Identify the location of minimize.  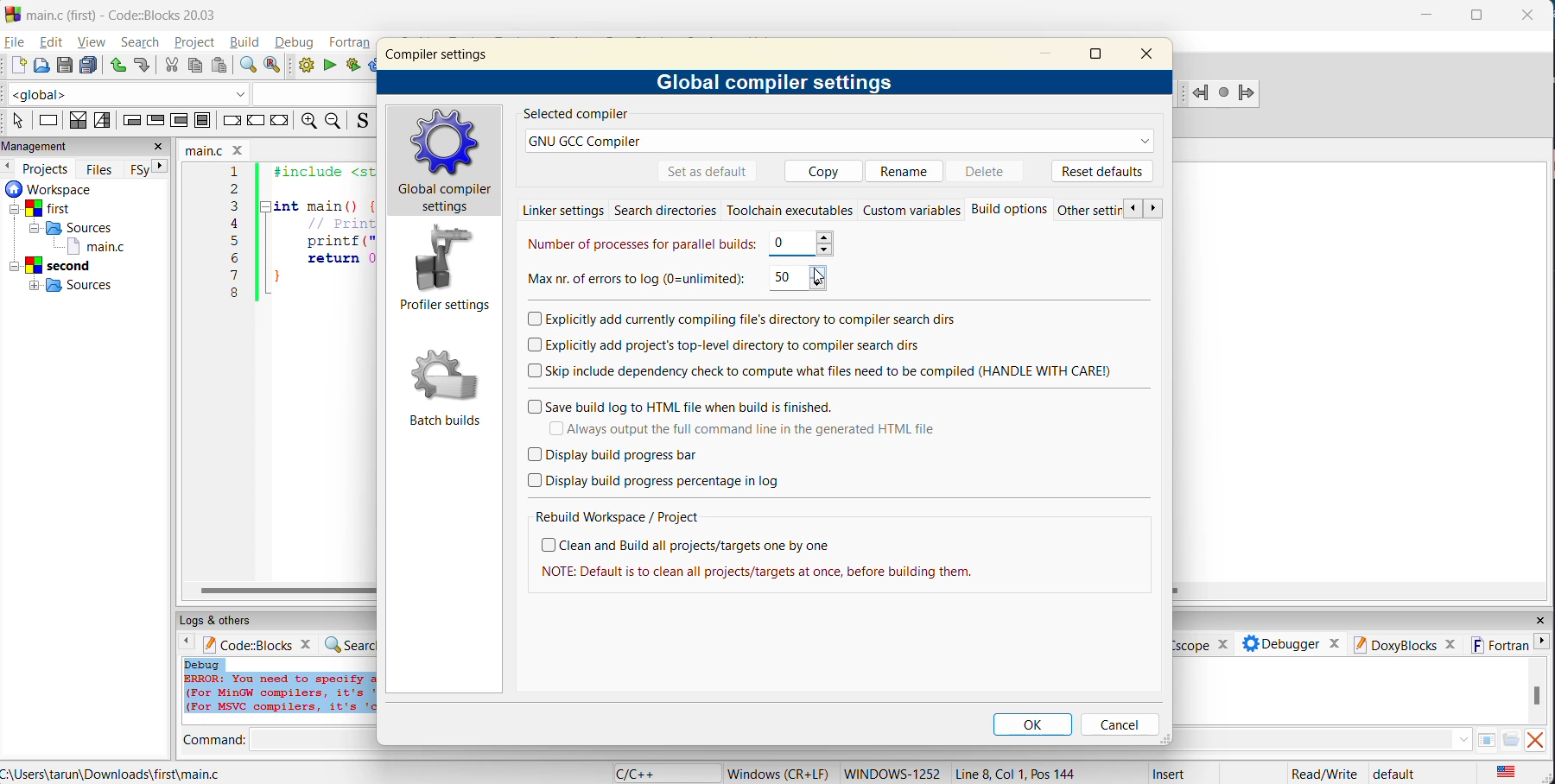
(1047, 53).